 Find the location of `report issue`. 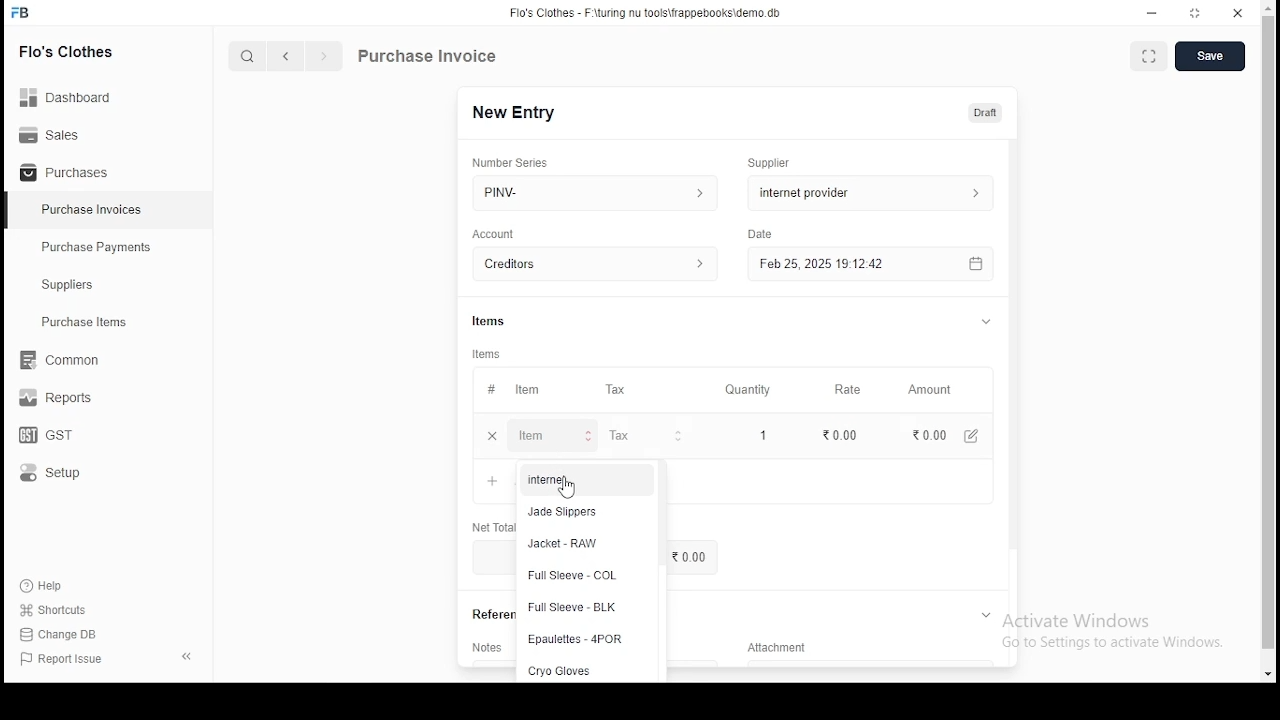

report issue is located at coordinates (64, 660).